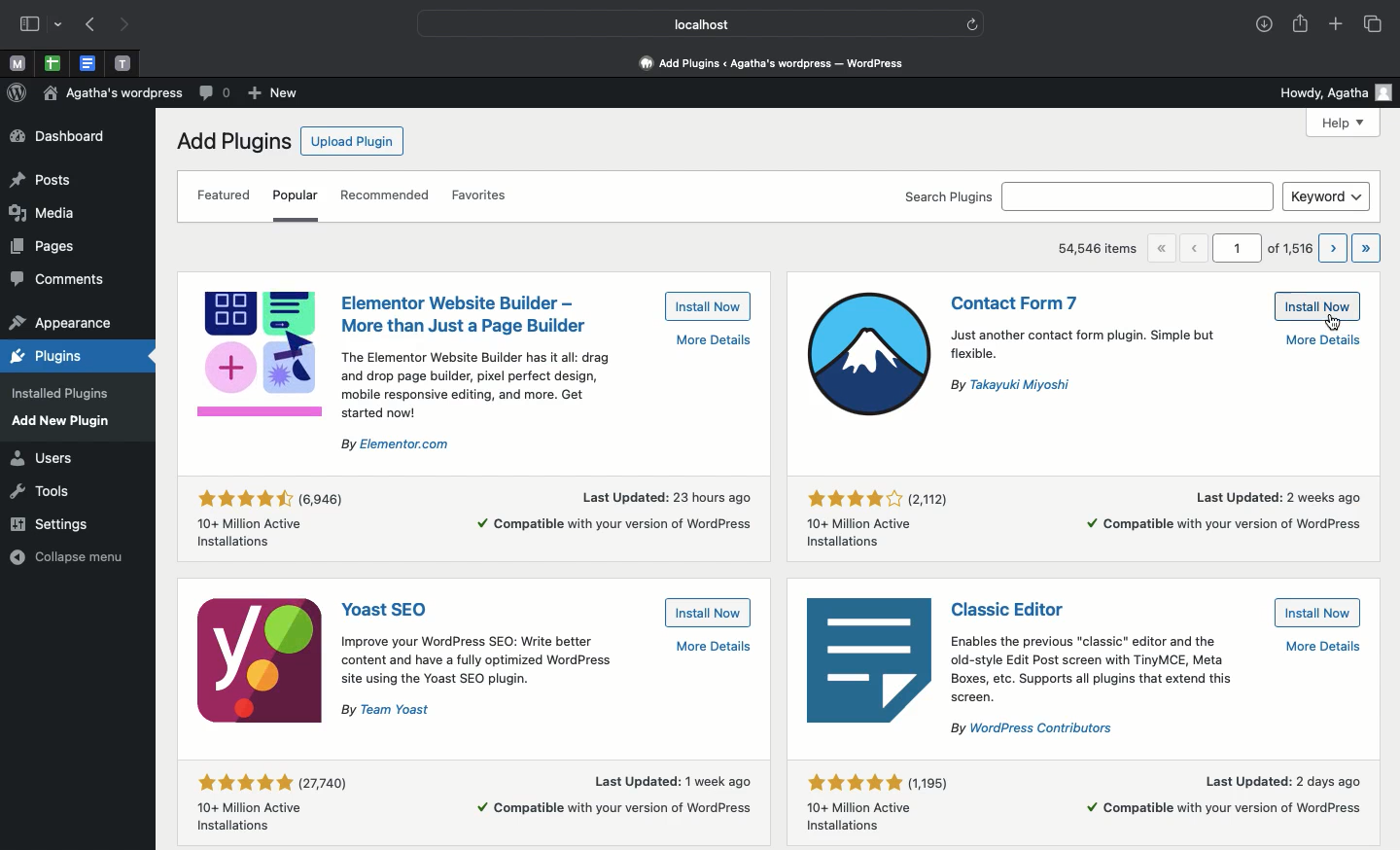  What do you see at coordinates (66, 137) in the screenshot?
I see `Dashboard` at bounding box center [66, 137].